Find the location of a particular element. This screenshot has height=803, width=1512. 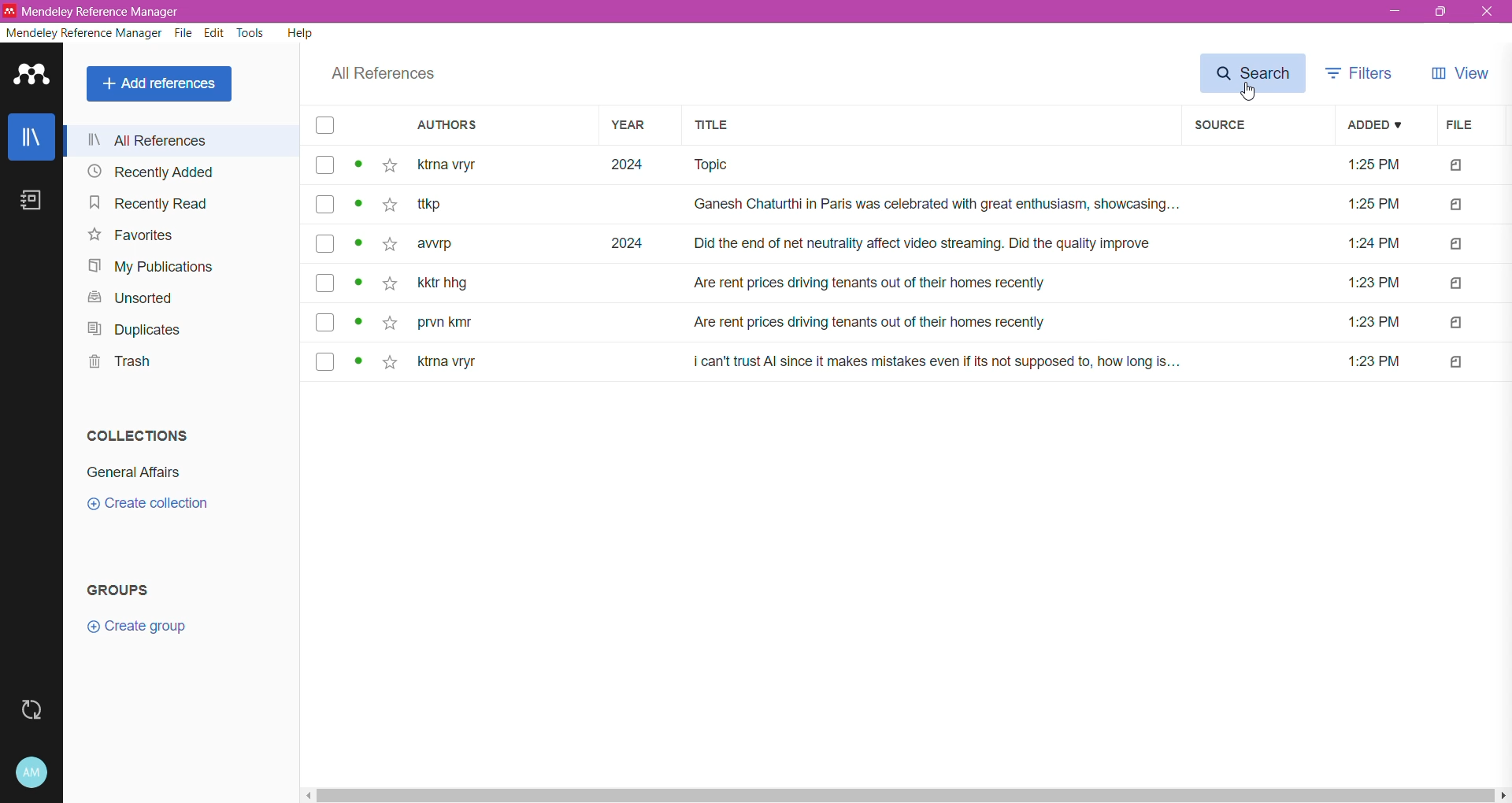

7 aw 2024 Did the end of net neutrality affect video streaming. Did the quality improve 1:24 PM is located at coordinates (916, 243).